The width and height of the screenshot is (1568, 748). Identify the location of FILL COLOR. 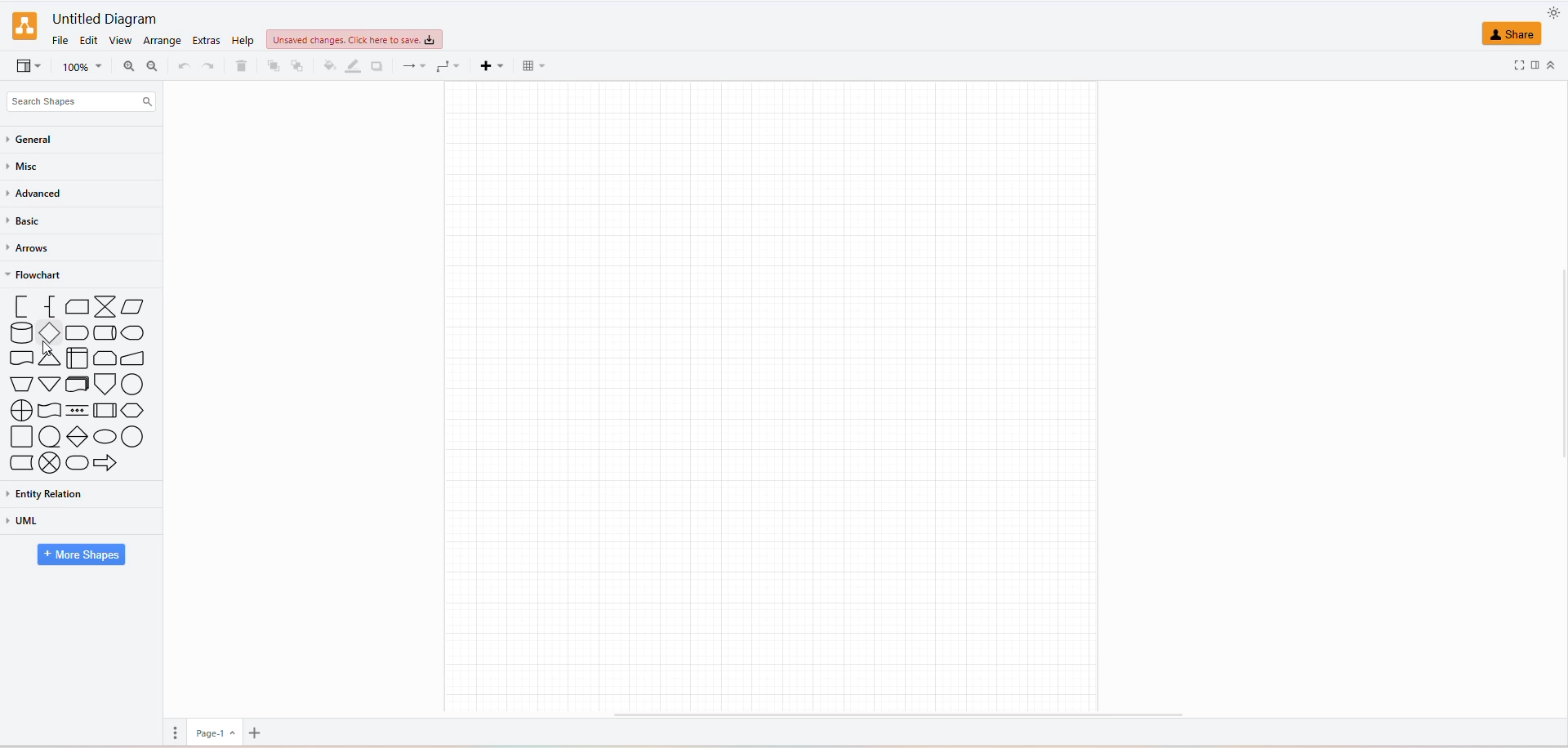
(327, 69).